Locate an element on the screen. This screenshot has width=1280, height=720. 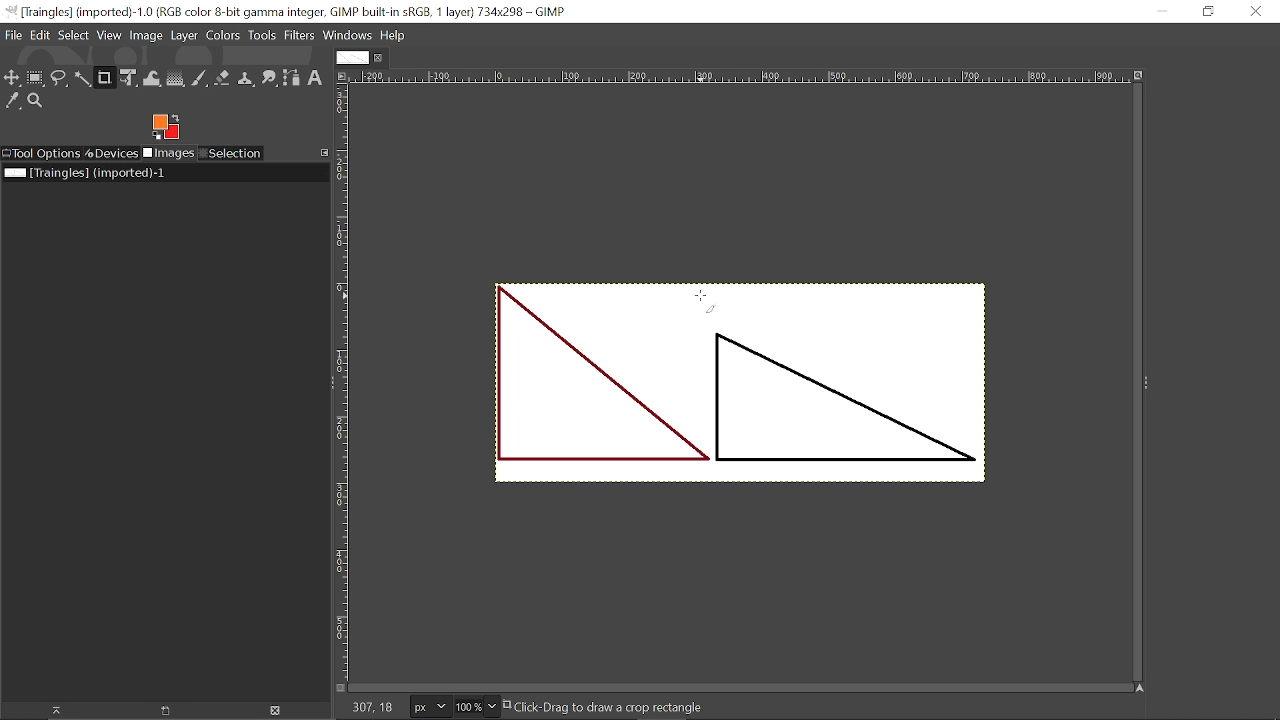
Select is located at coordinates (74, 36).